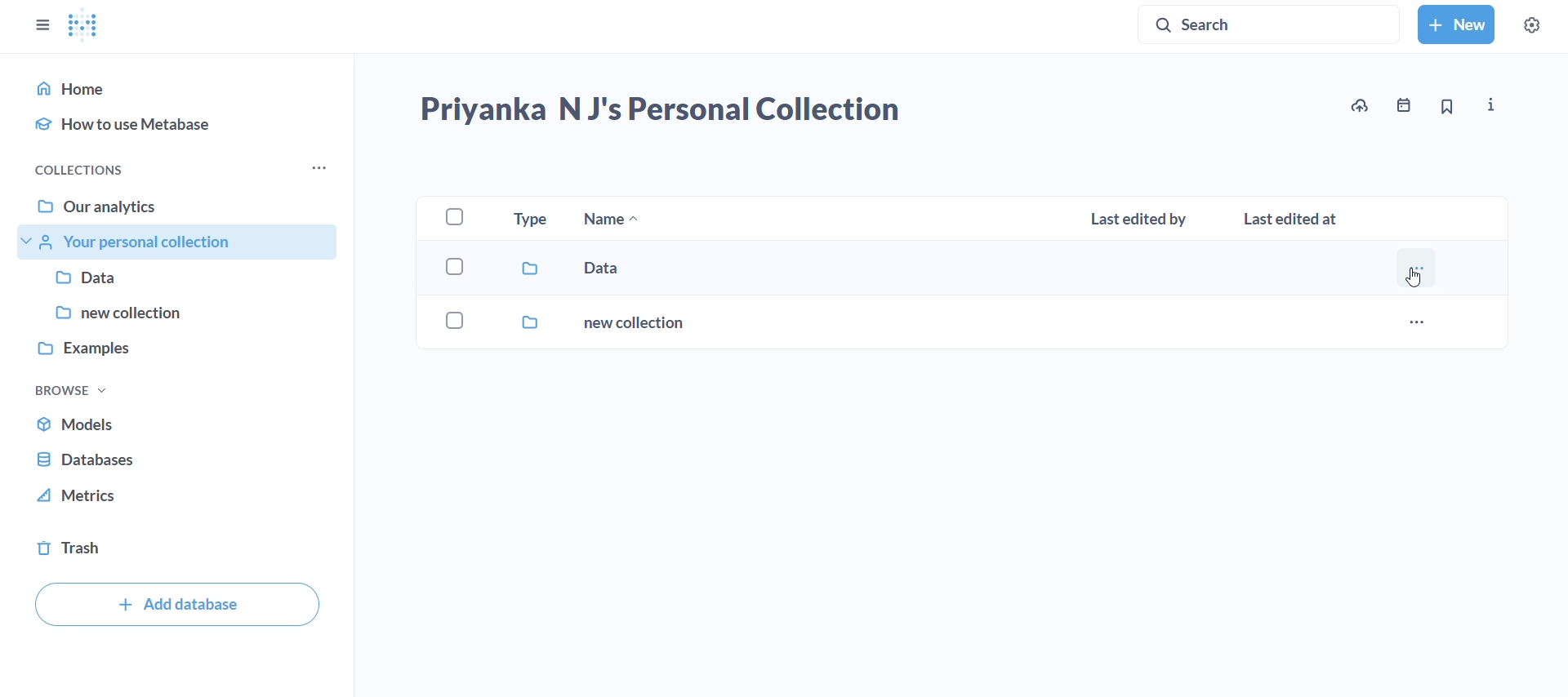 Image resolution: width=1568 pixels, height=697 pixels. I want to click on examples, so click(181, 343).